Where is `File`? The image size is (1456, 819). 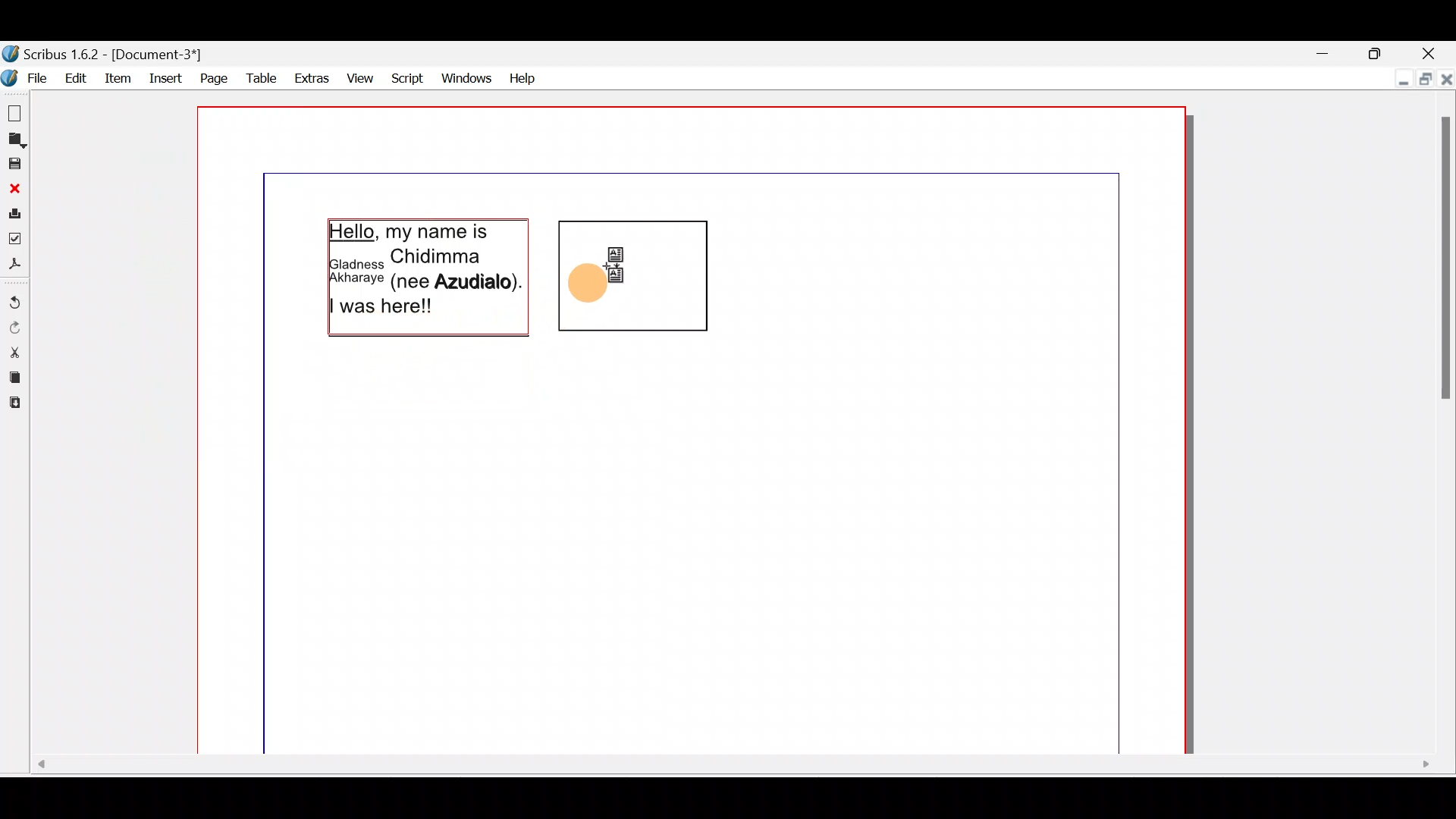
File is located at coordinates (27, 76).